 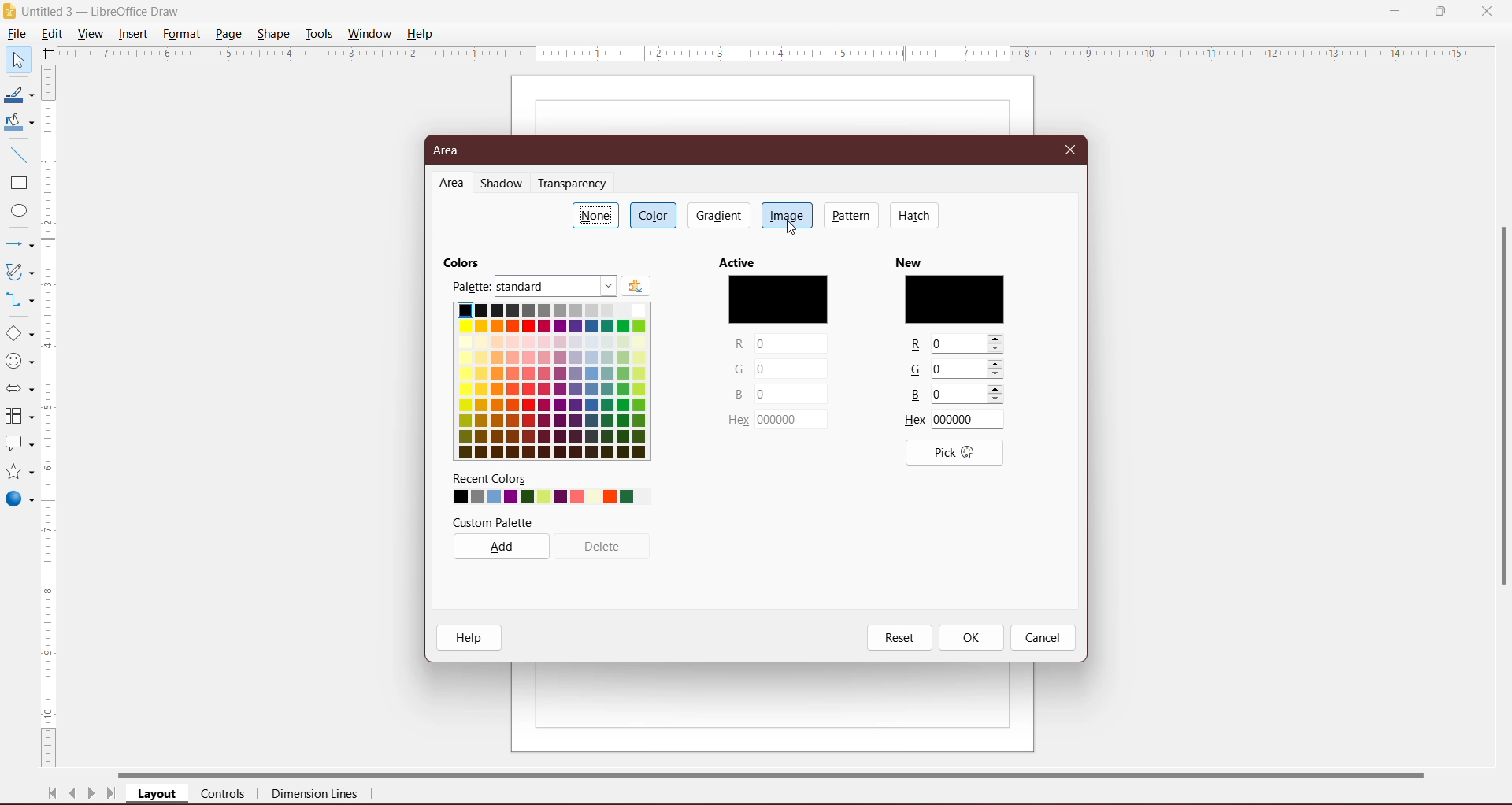 I want to click on Active, so click(x=774, y=262).